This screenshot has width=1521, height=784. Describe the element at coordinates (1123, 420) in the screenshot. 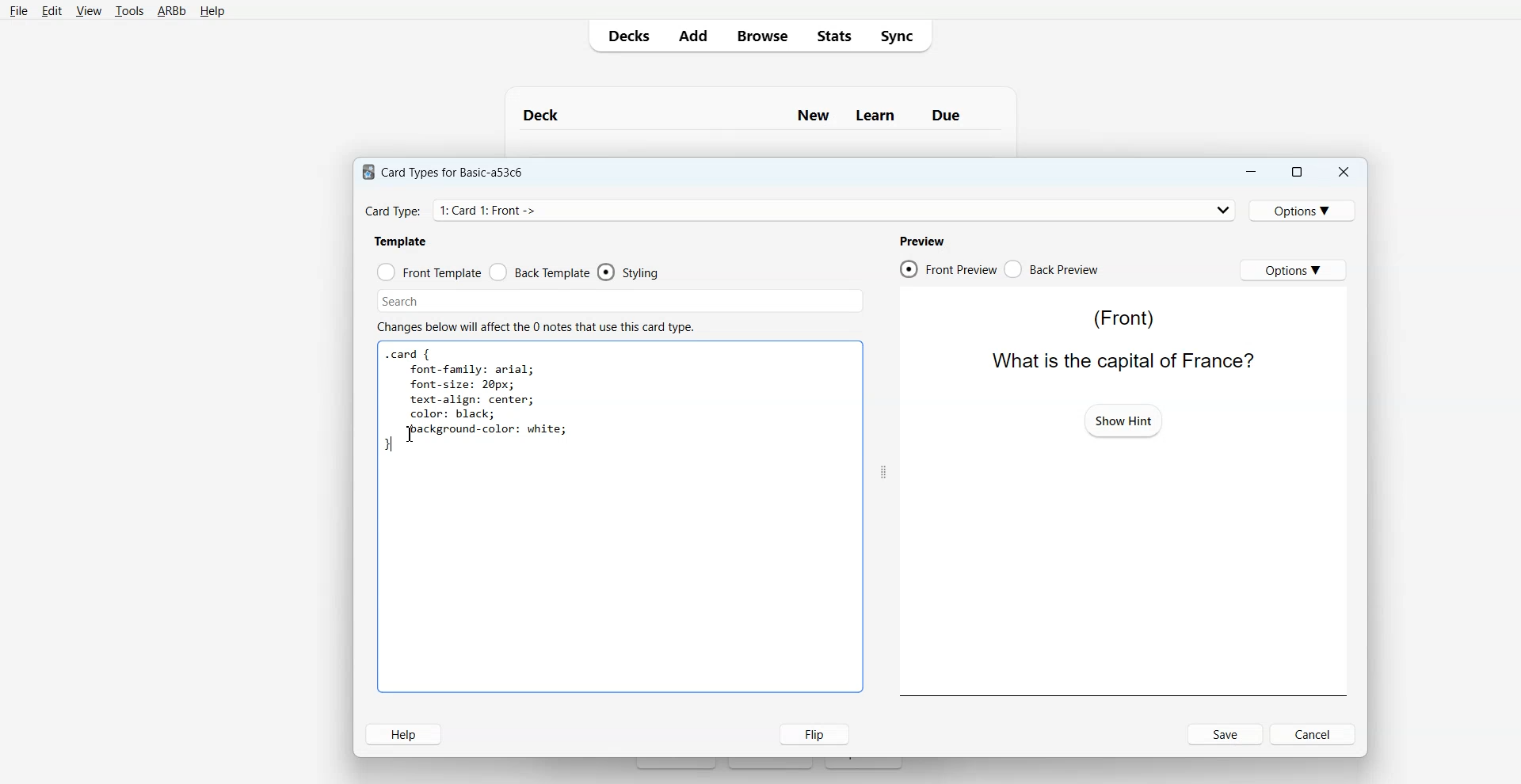

I see `Show Hint` at that location.